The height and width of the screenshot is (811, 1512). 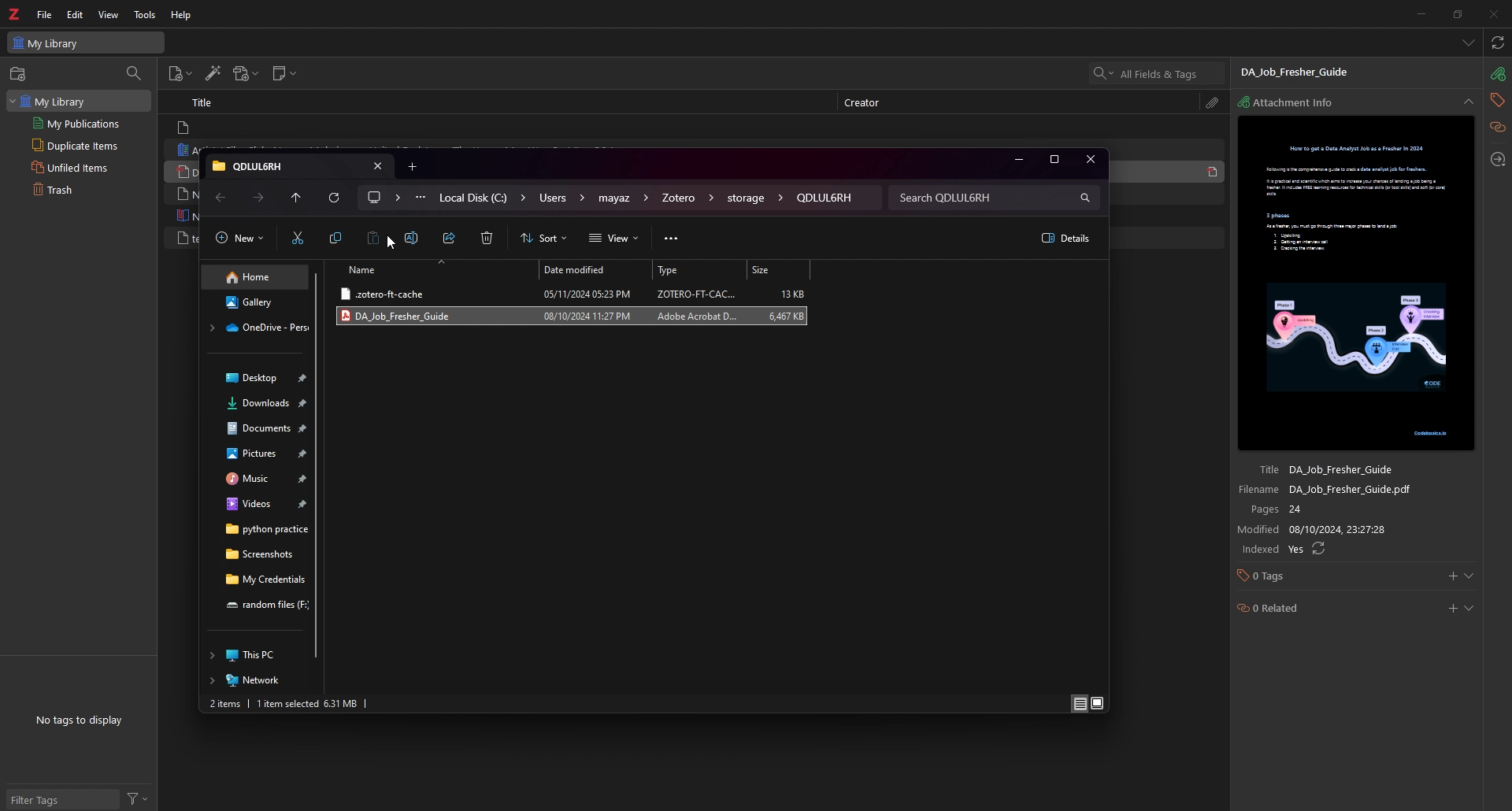 I want to click on pages, so click(x=1345, y=510).